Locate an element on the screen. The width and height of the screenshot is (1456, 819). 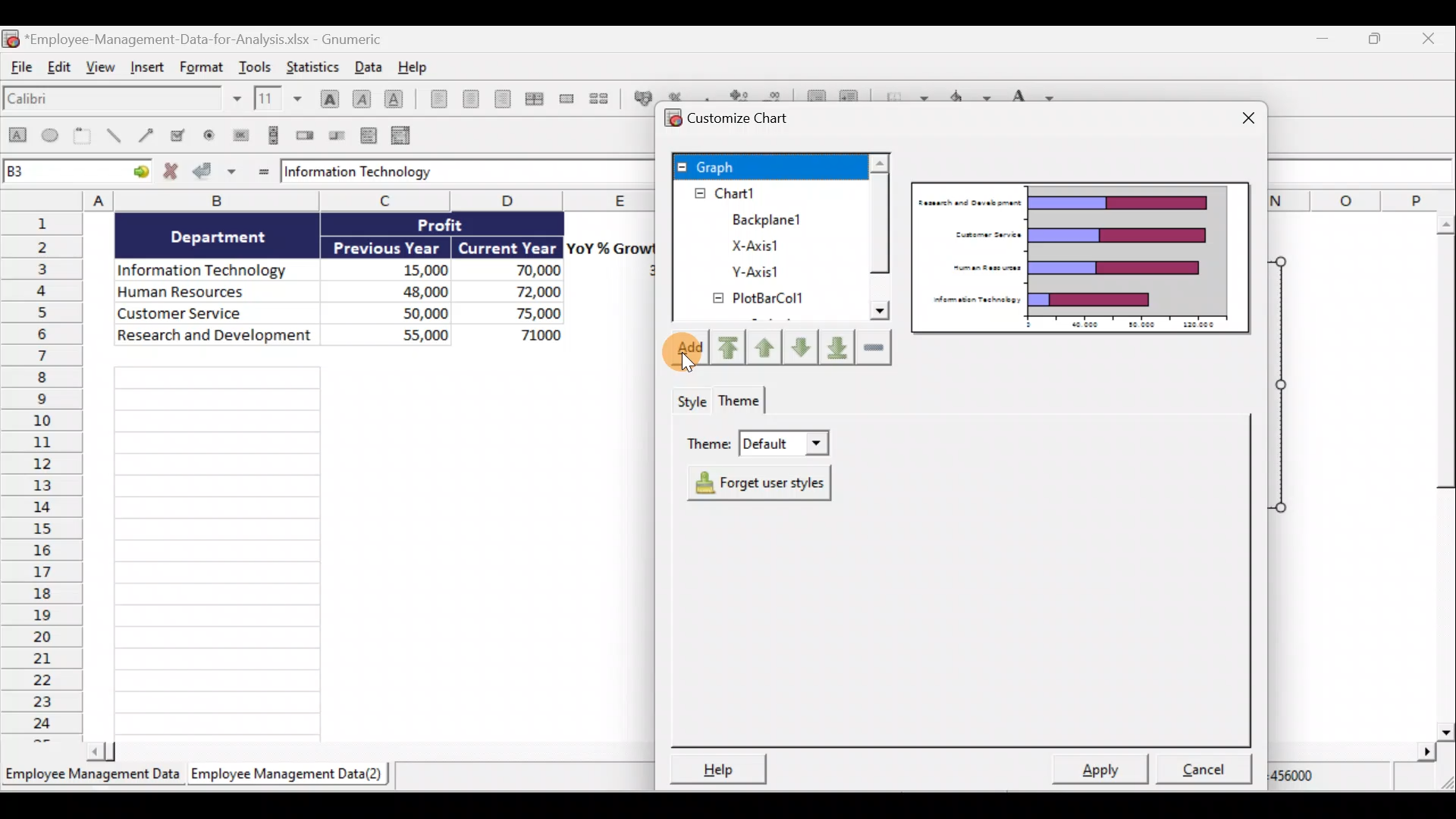
X-axis 1 is located at coordinates (782, 245).